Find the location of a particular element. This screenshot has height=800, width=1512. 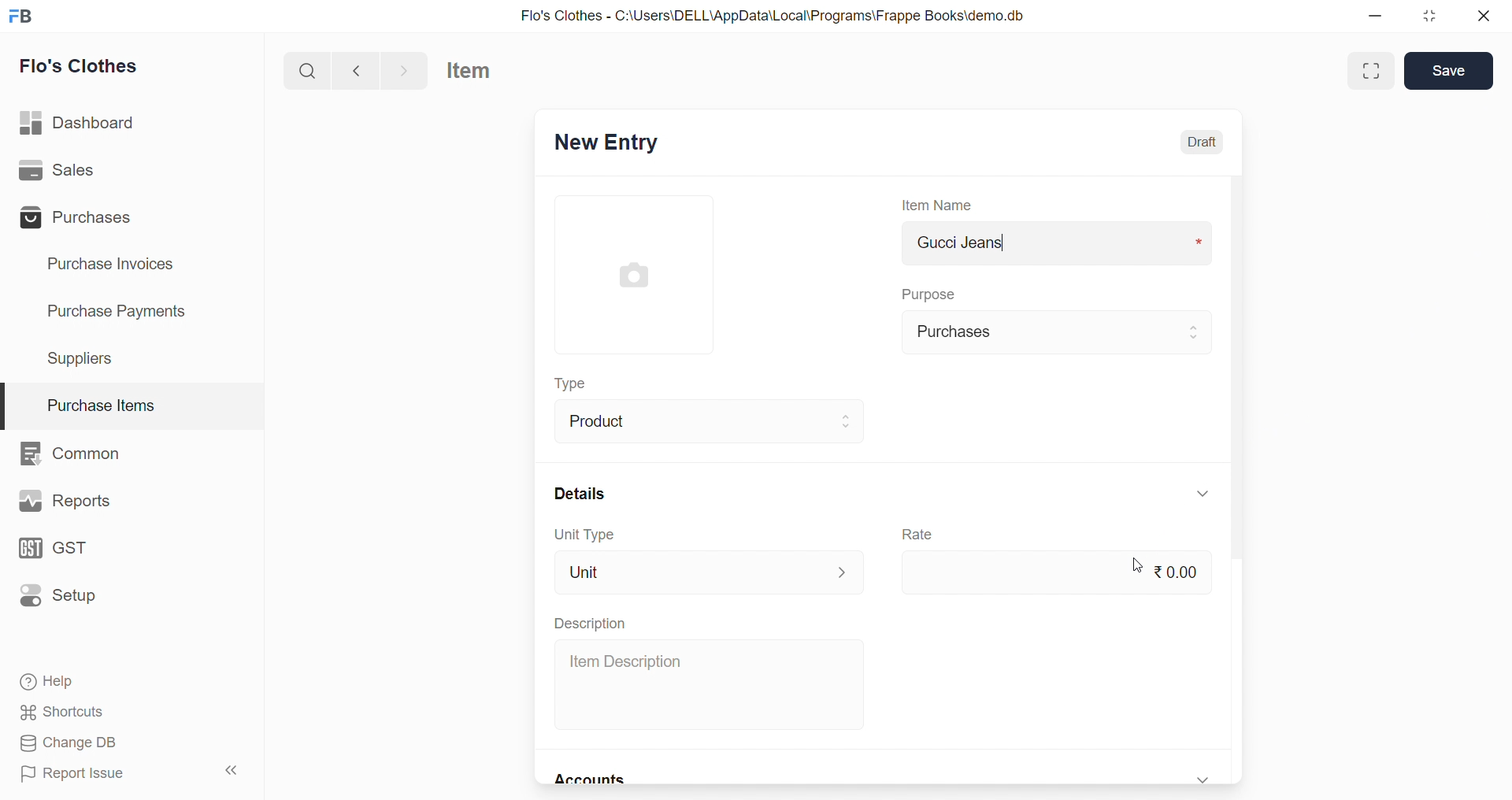

Dashboard is located at coordinates (84, 120).